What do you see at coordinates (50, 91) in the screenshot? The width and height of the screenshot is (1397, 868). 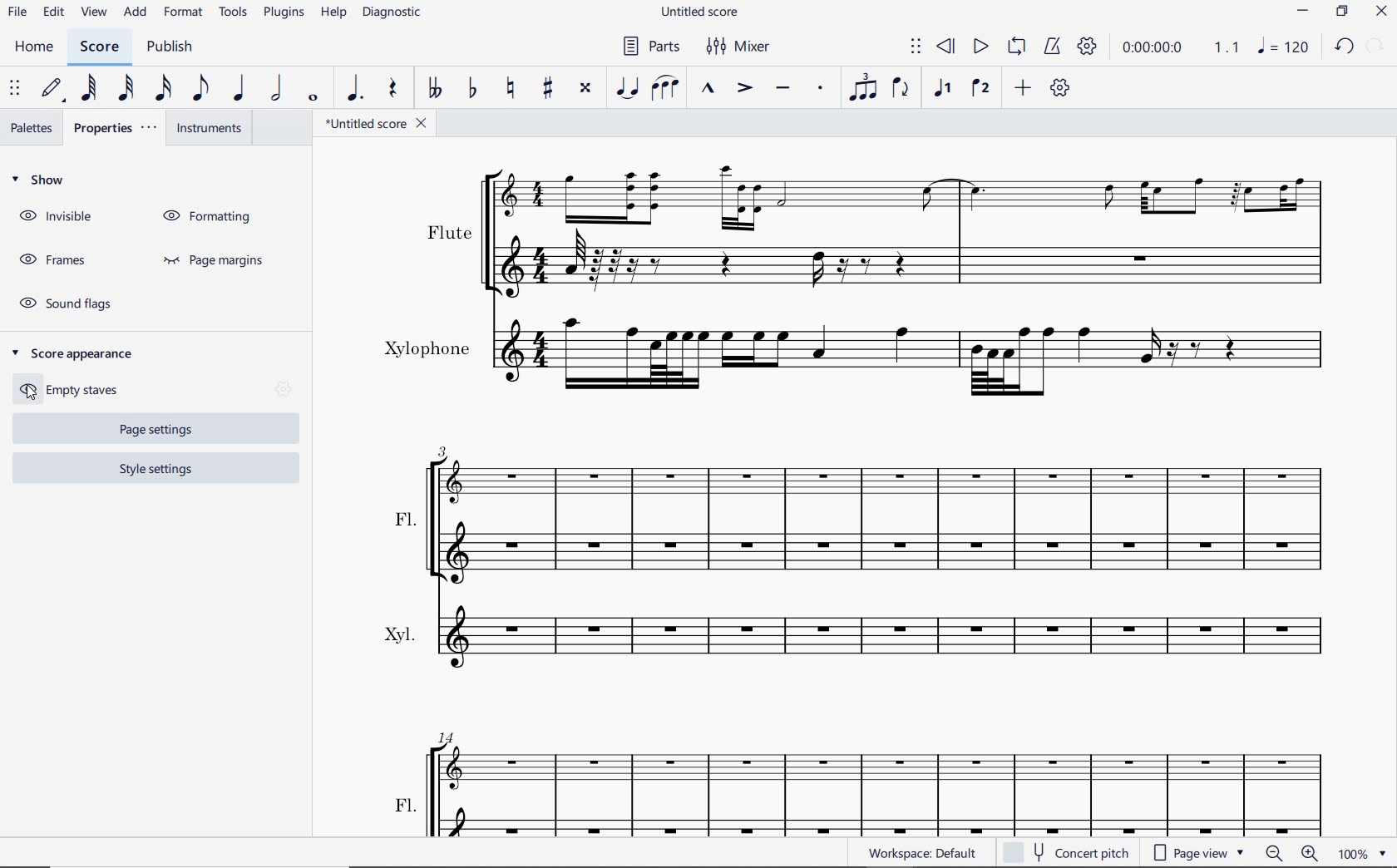 I see `DEFAULT (STEP TIME)` at bounding box center [50, 91].